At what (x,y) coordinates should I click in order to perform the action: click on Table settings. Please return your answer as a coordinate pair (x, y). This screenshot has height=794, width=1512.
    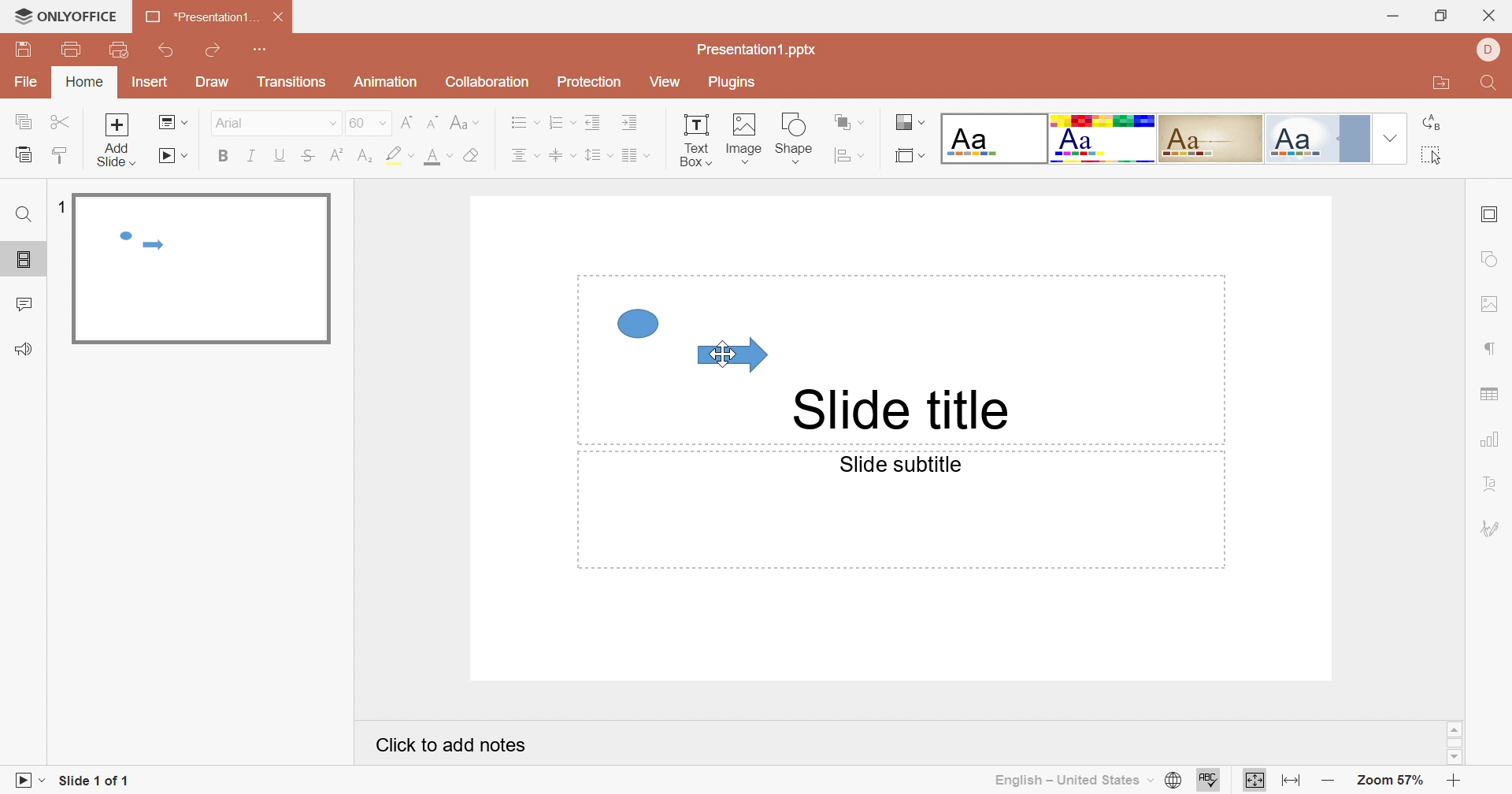
    Looking at the image, I should click on (1492, 393).